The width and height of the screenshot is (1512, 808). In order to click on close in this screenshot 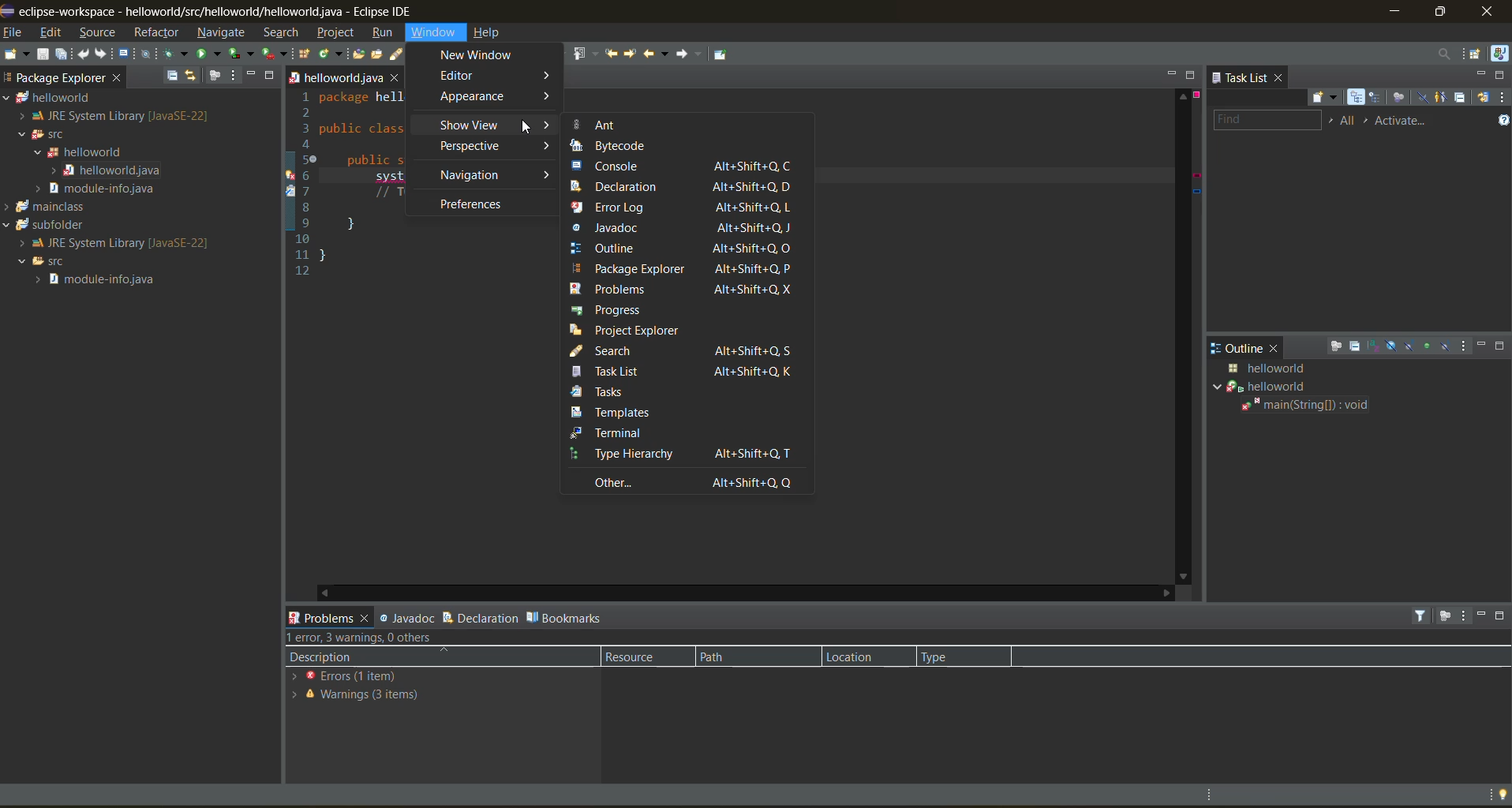, I will do `click(1494, 11)`.